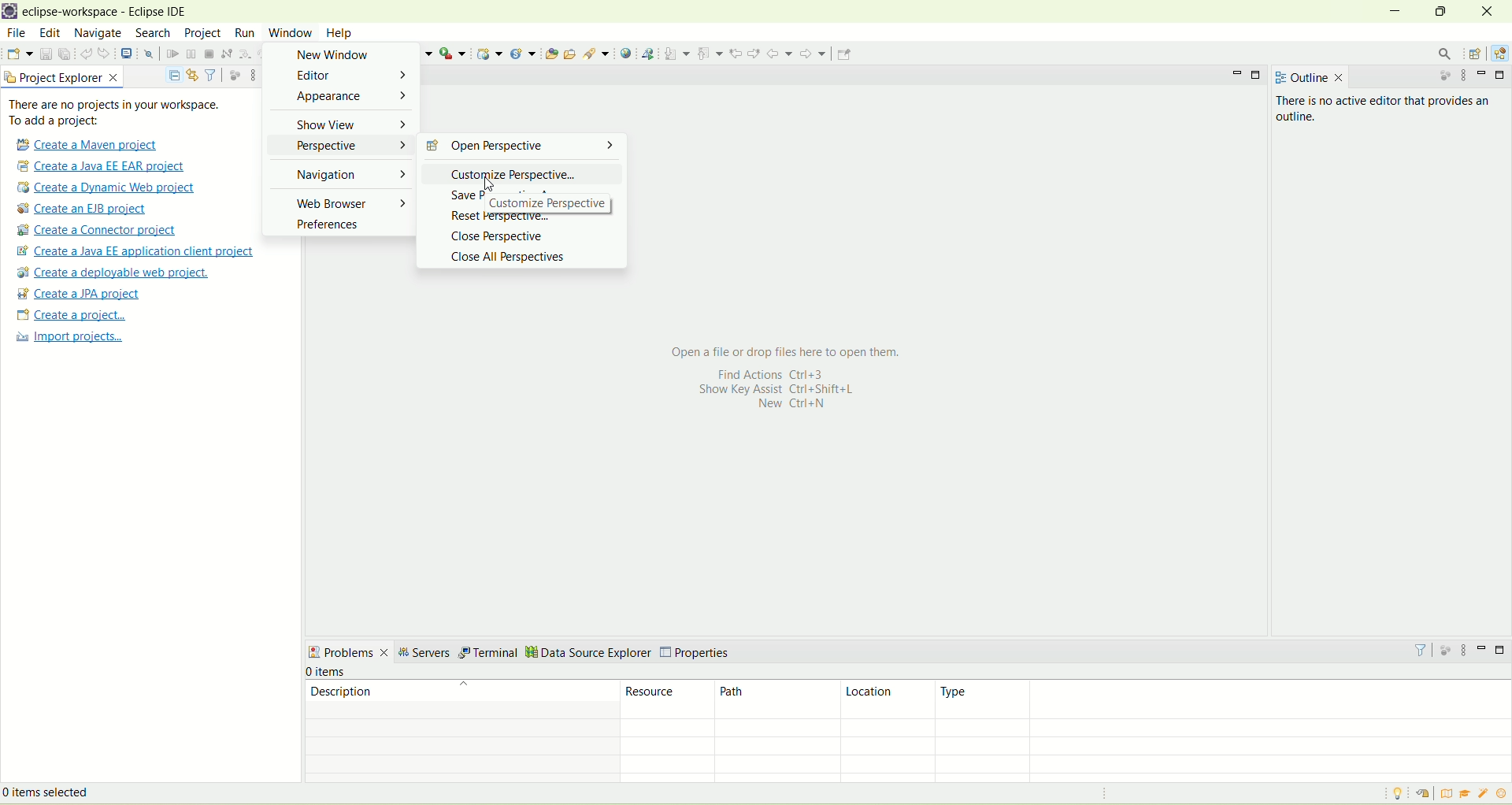 This screenshot has height=805, width=1512. Describe the element at coordinates (1235, 73) in the screenshot. I see `minimize` at that location.